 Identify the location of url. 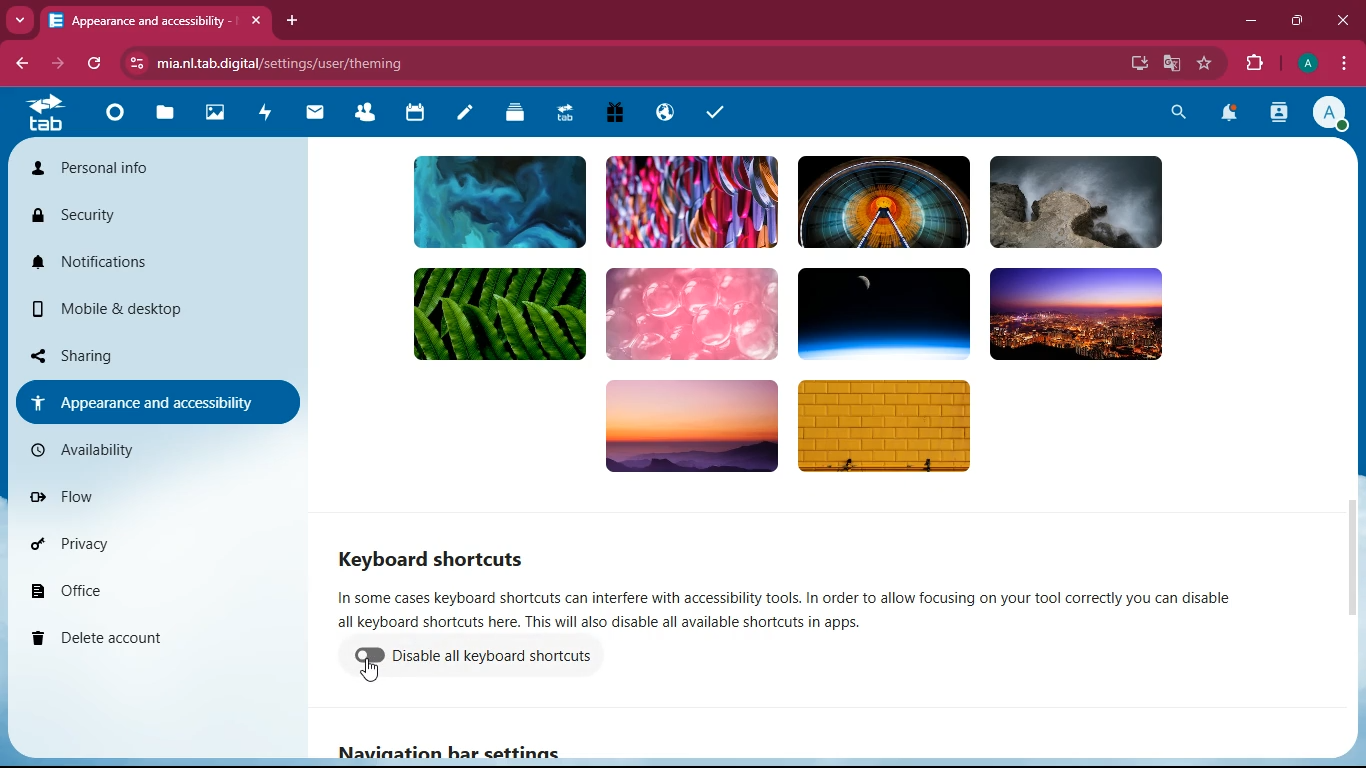
(295, 60).